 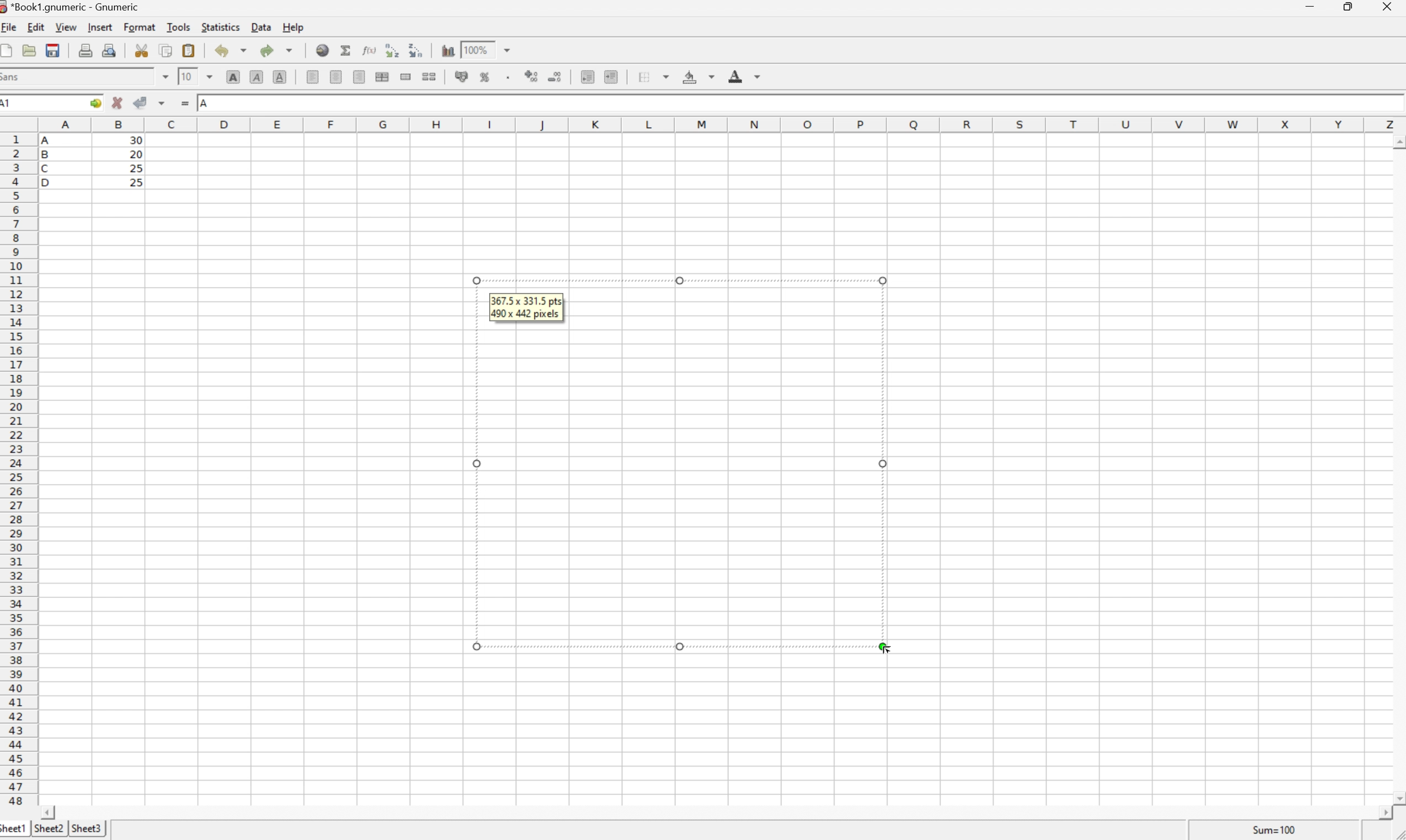 I want to click on Open a file, so click(x=29, y=50).